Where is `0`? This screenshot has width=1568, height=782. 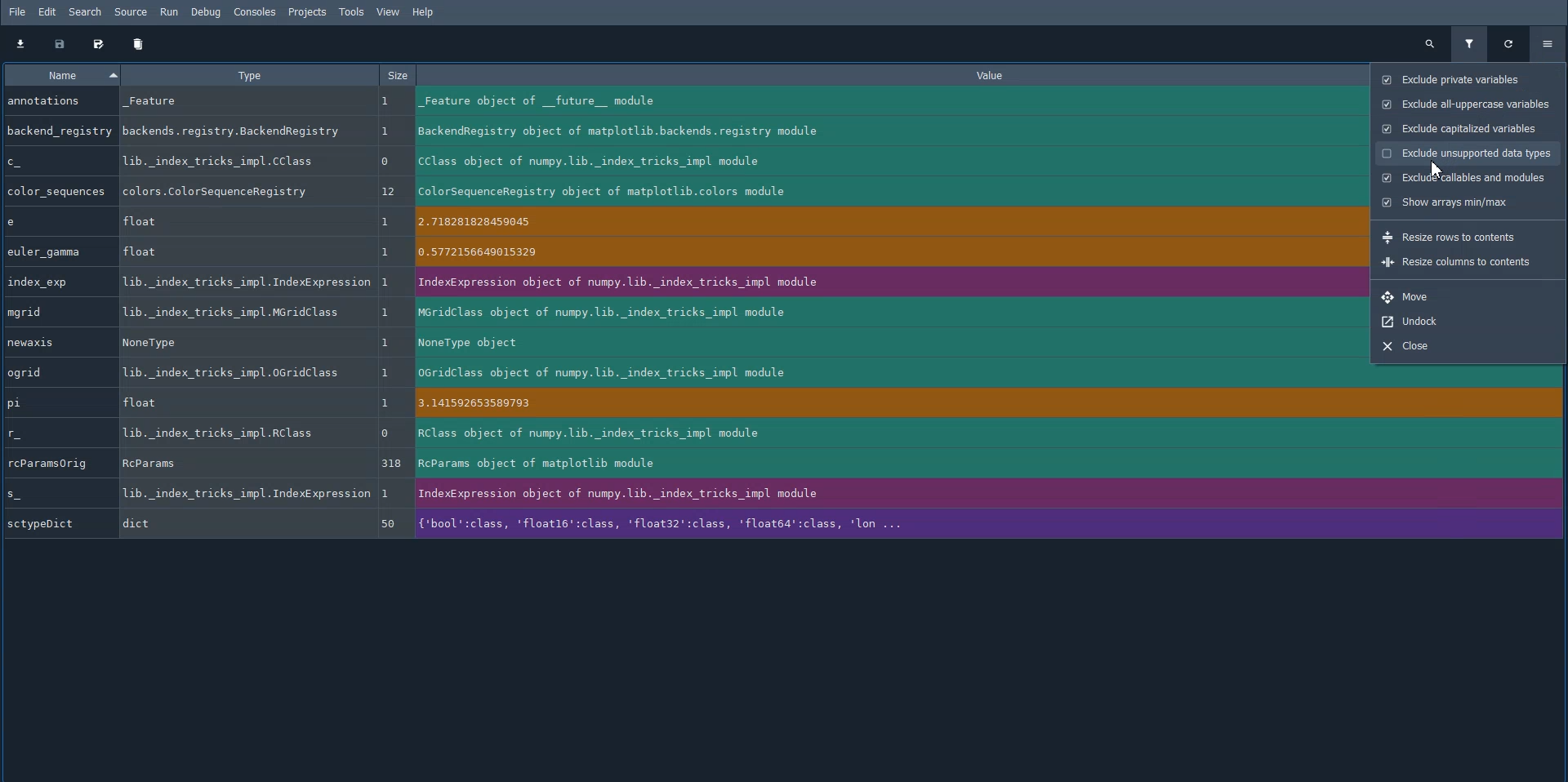 0 is located at coordinates (389, 433).